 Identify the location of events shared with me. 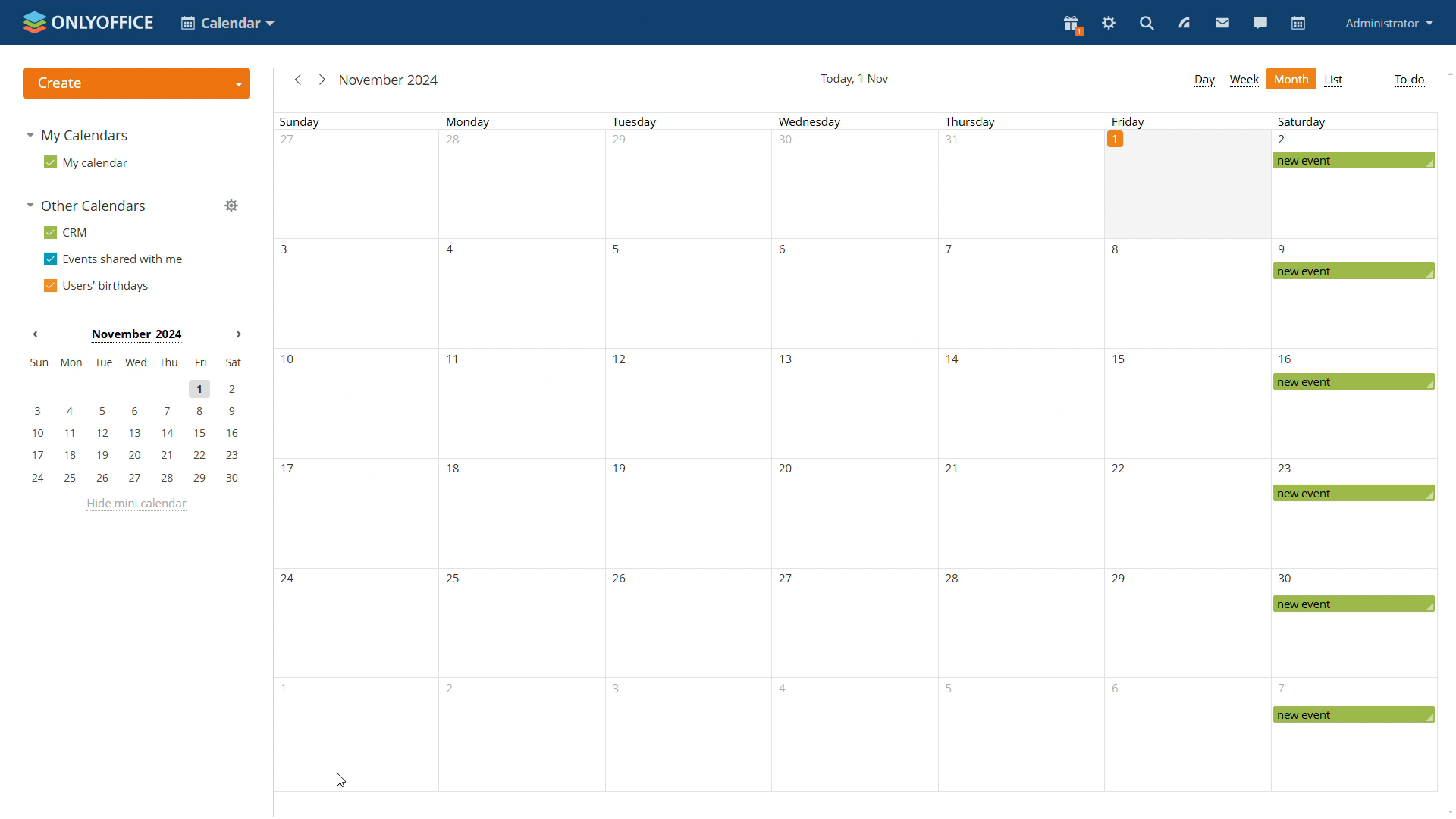
(113, 259).